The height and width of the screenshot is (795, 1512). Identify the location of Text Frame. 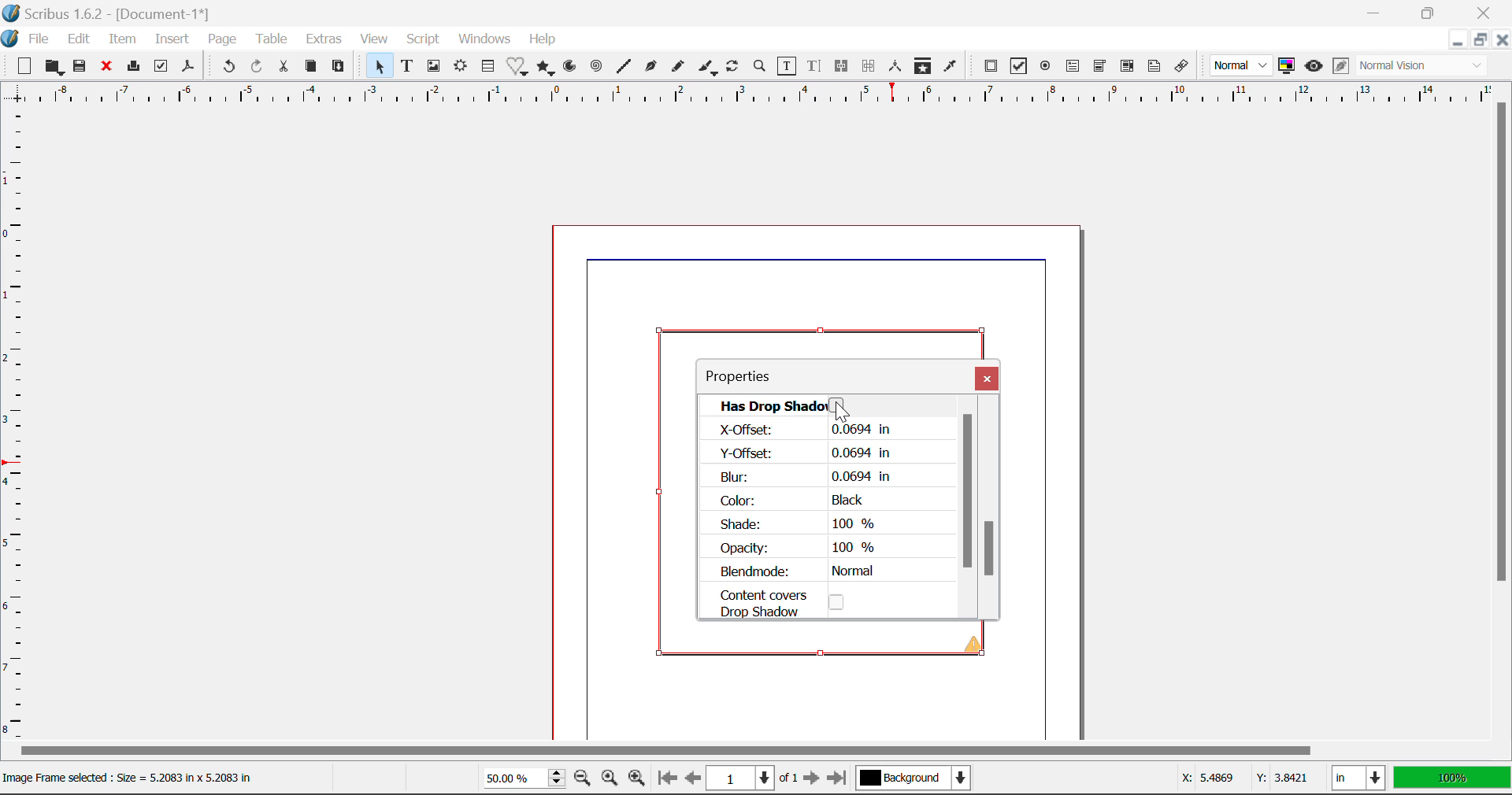
(408, 67).